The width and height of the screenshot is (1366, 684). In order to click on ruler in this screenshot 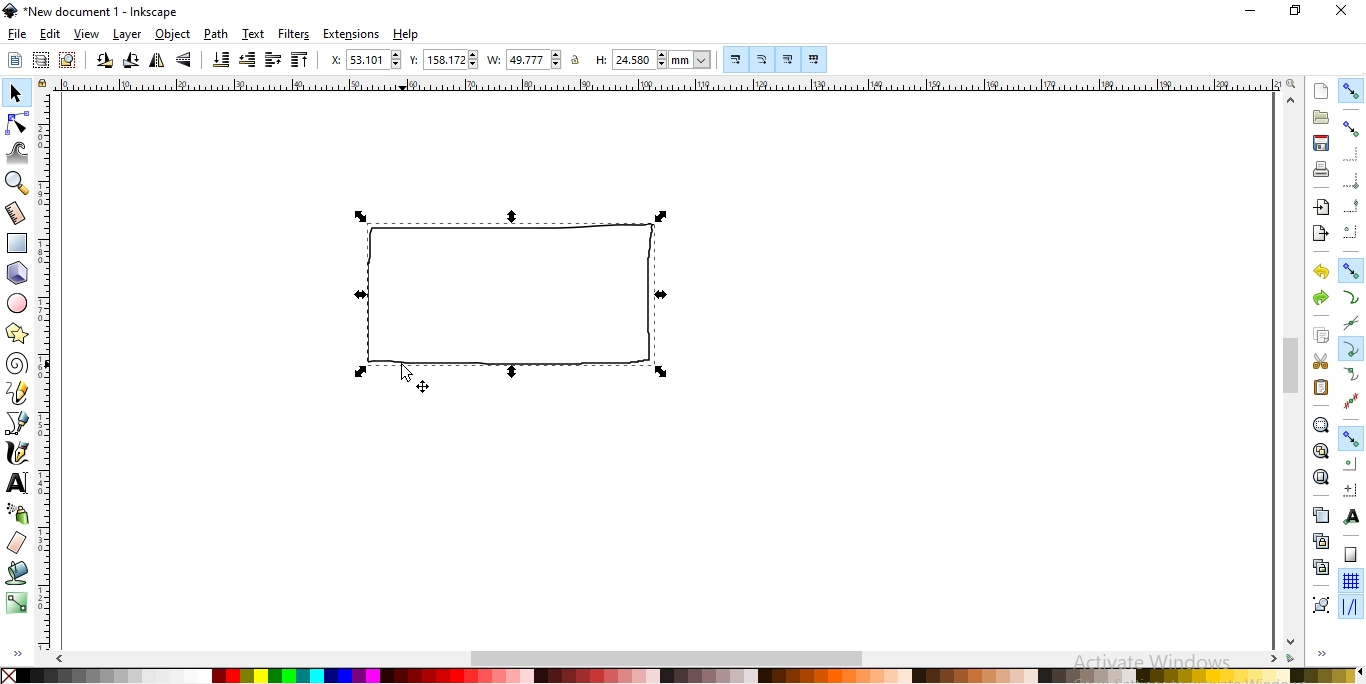, I will do `click(666, 86)`.